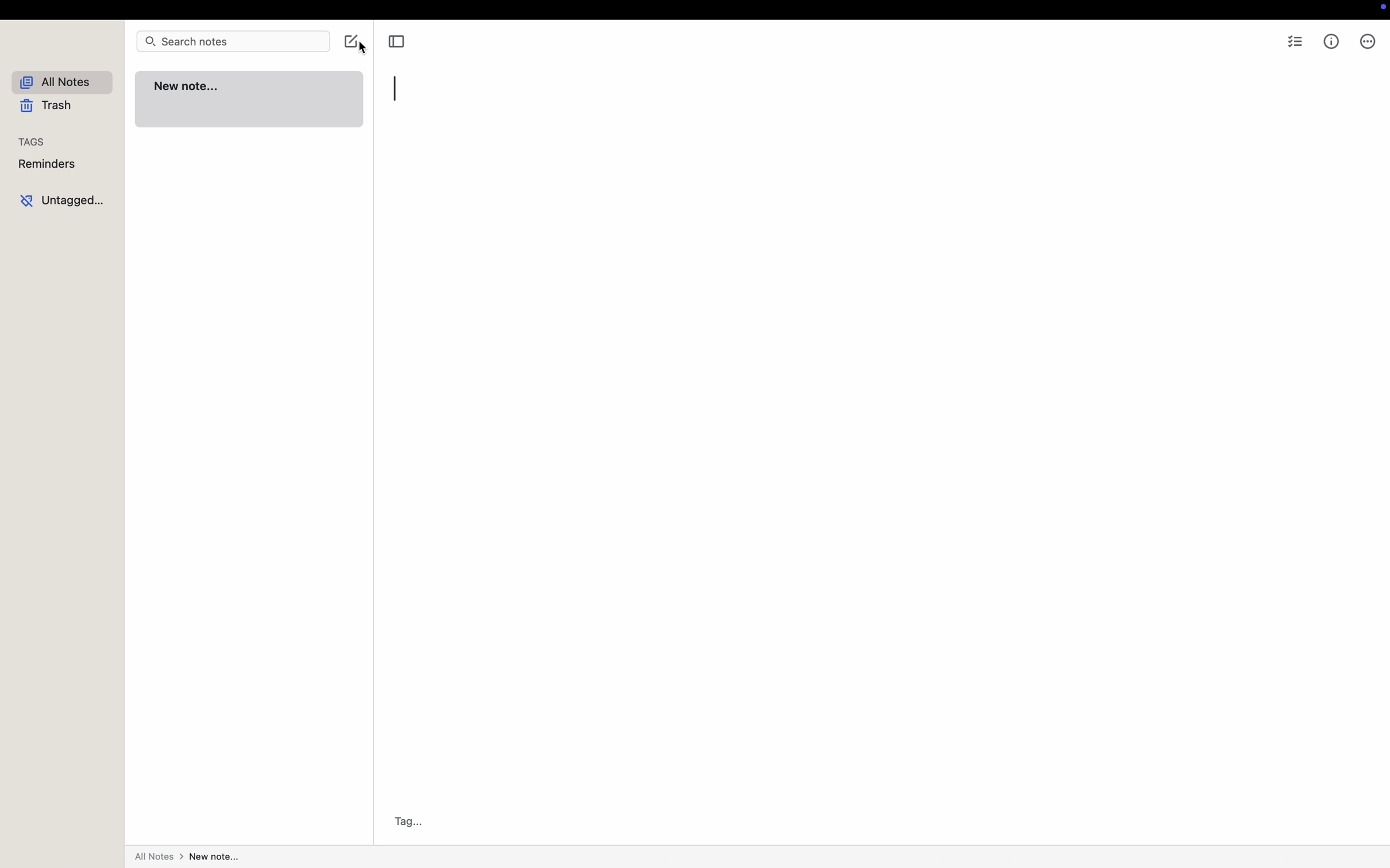 The height and width of the screenshot is (868, 1390). Describe the element at coordinates (1368, 41) in the screenshot. I see `more options` at that location.